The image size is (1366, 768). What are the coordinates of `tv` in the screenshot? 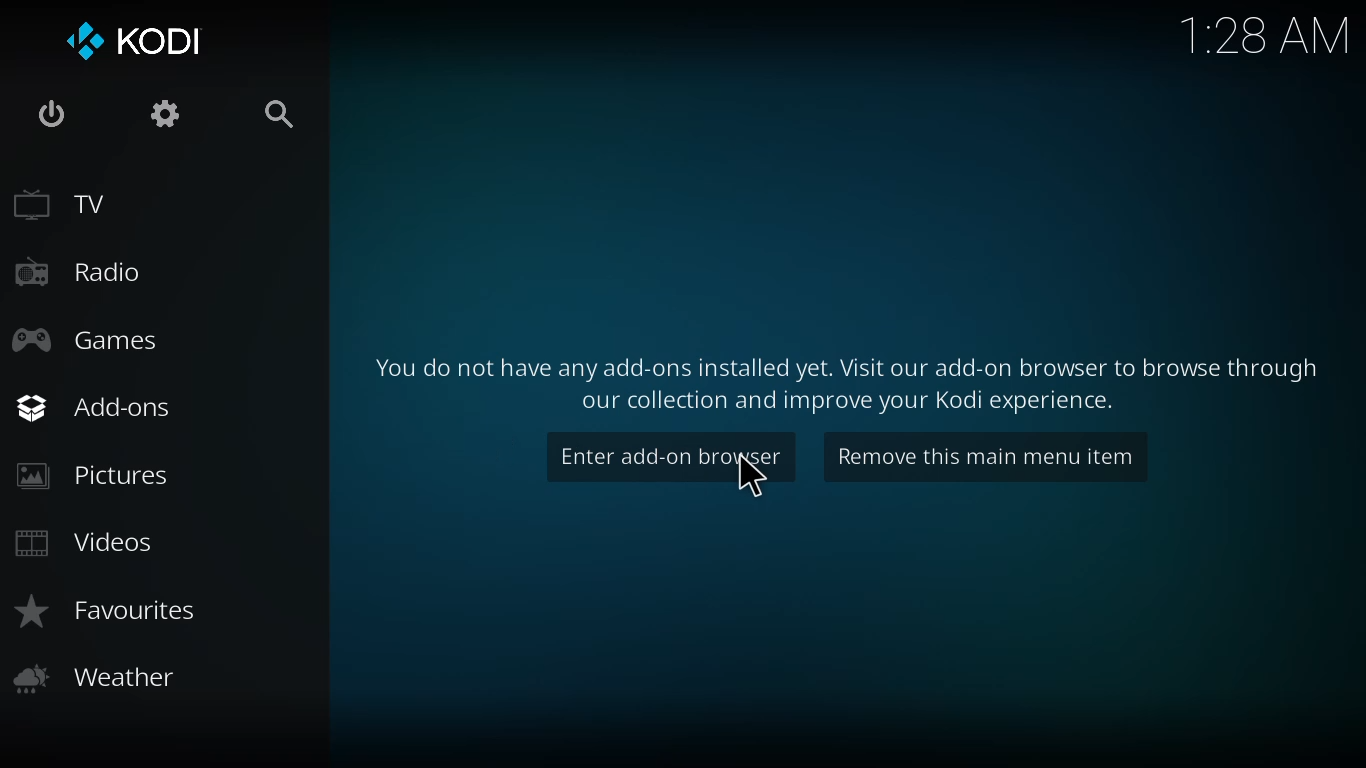 It's located at (60, 203).